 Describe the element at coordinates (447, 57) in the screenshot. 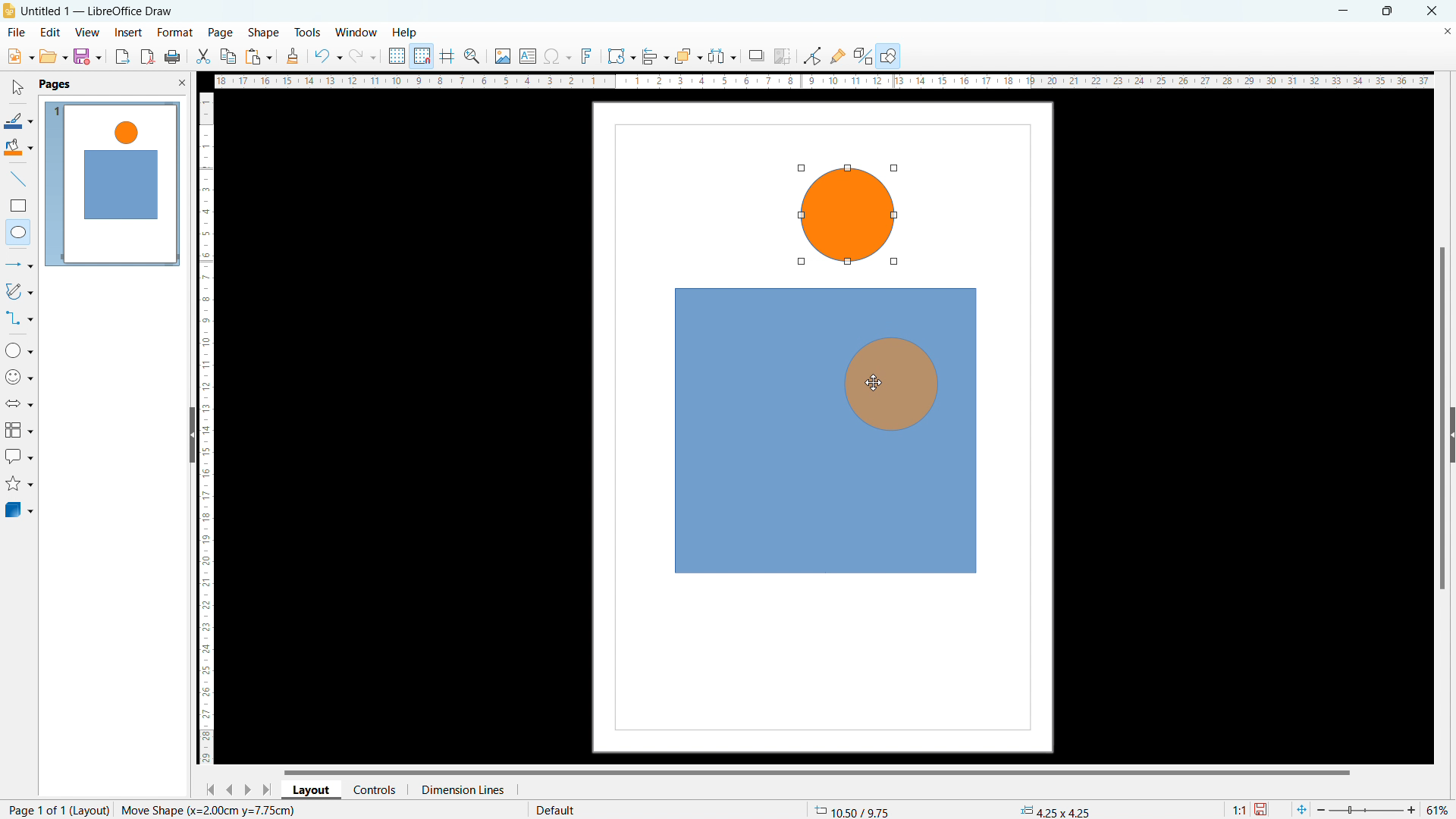

I see `guidelines while moving` at that location.